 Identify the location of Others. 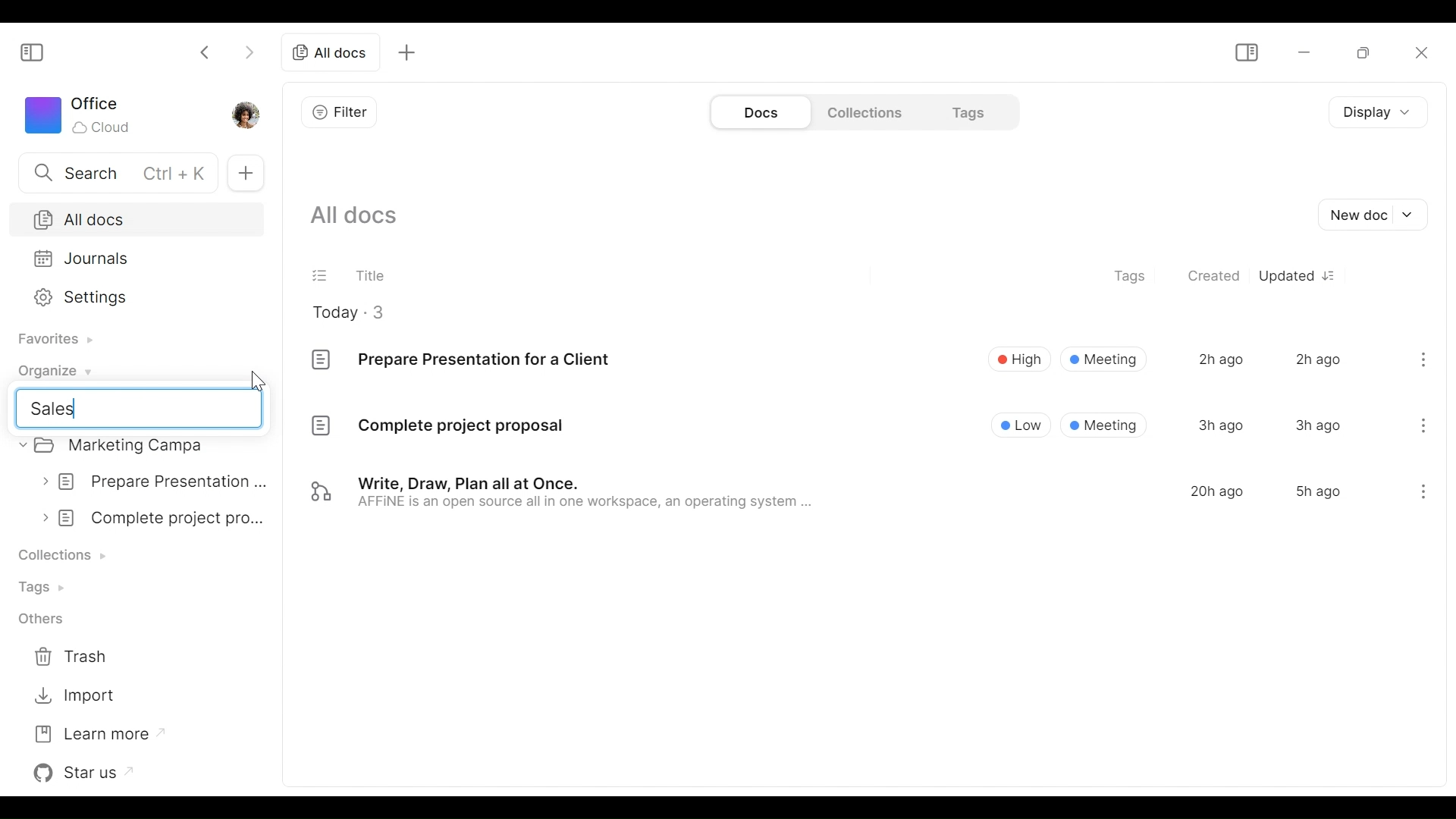
(46, 619).